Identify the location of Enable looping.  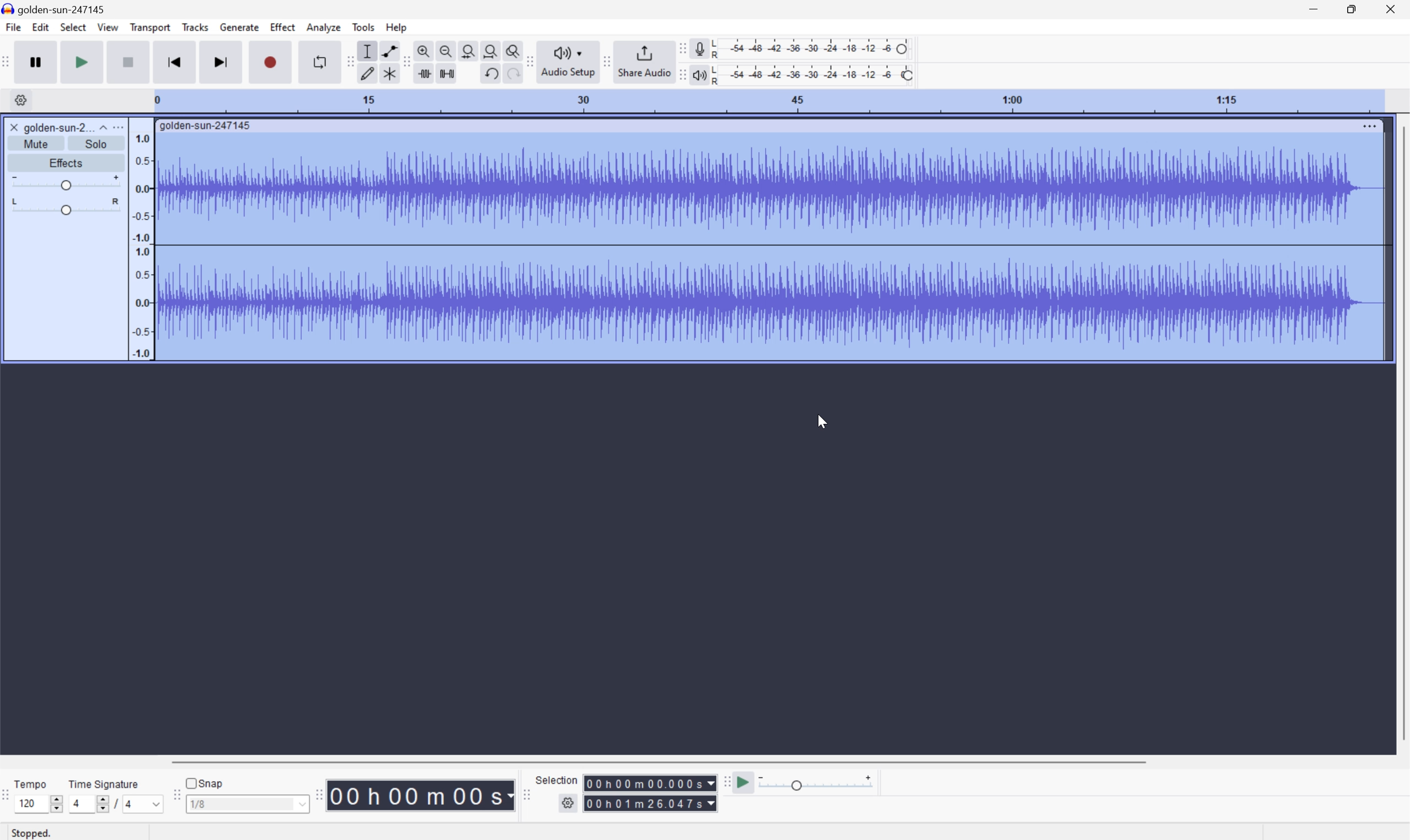
(319, 61).